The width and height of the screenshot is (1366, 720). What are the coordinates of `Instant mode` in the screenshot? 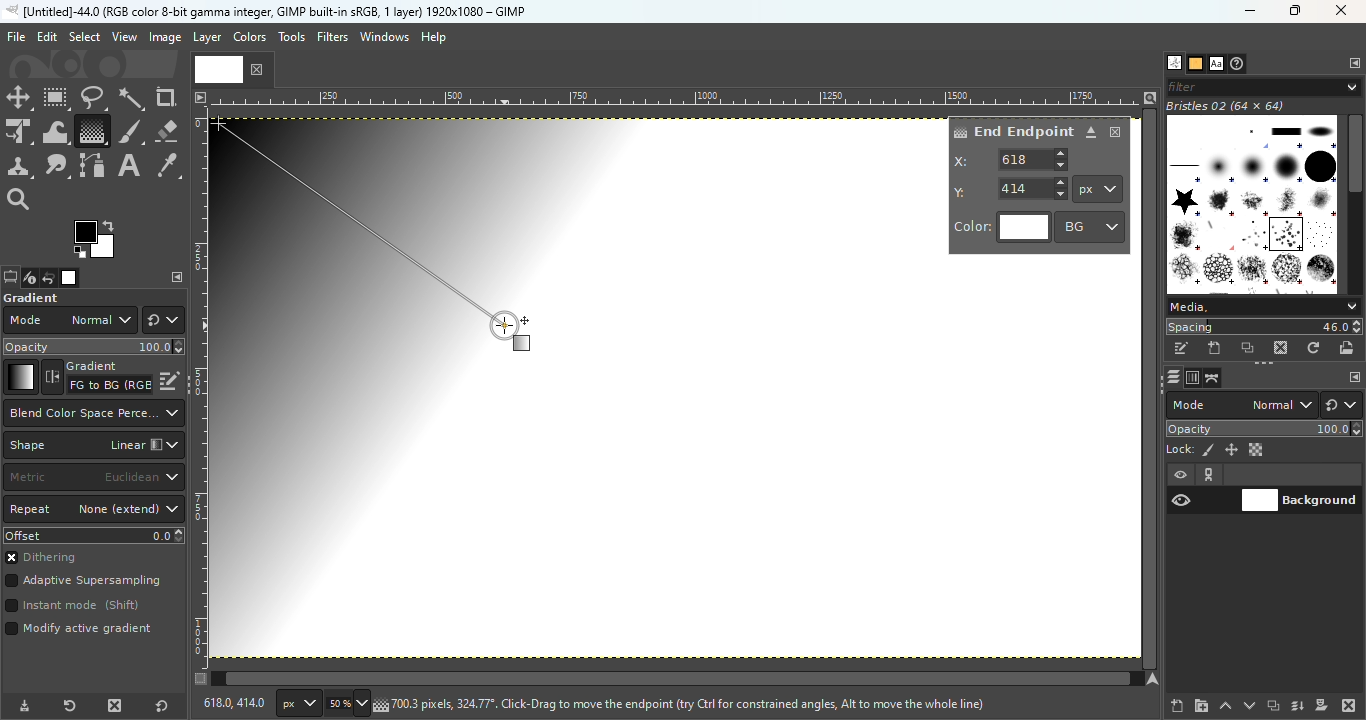 It's located at (71, 607).